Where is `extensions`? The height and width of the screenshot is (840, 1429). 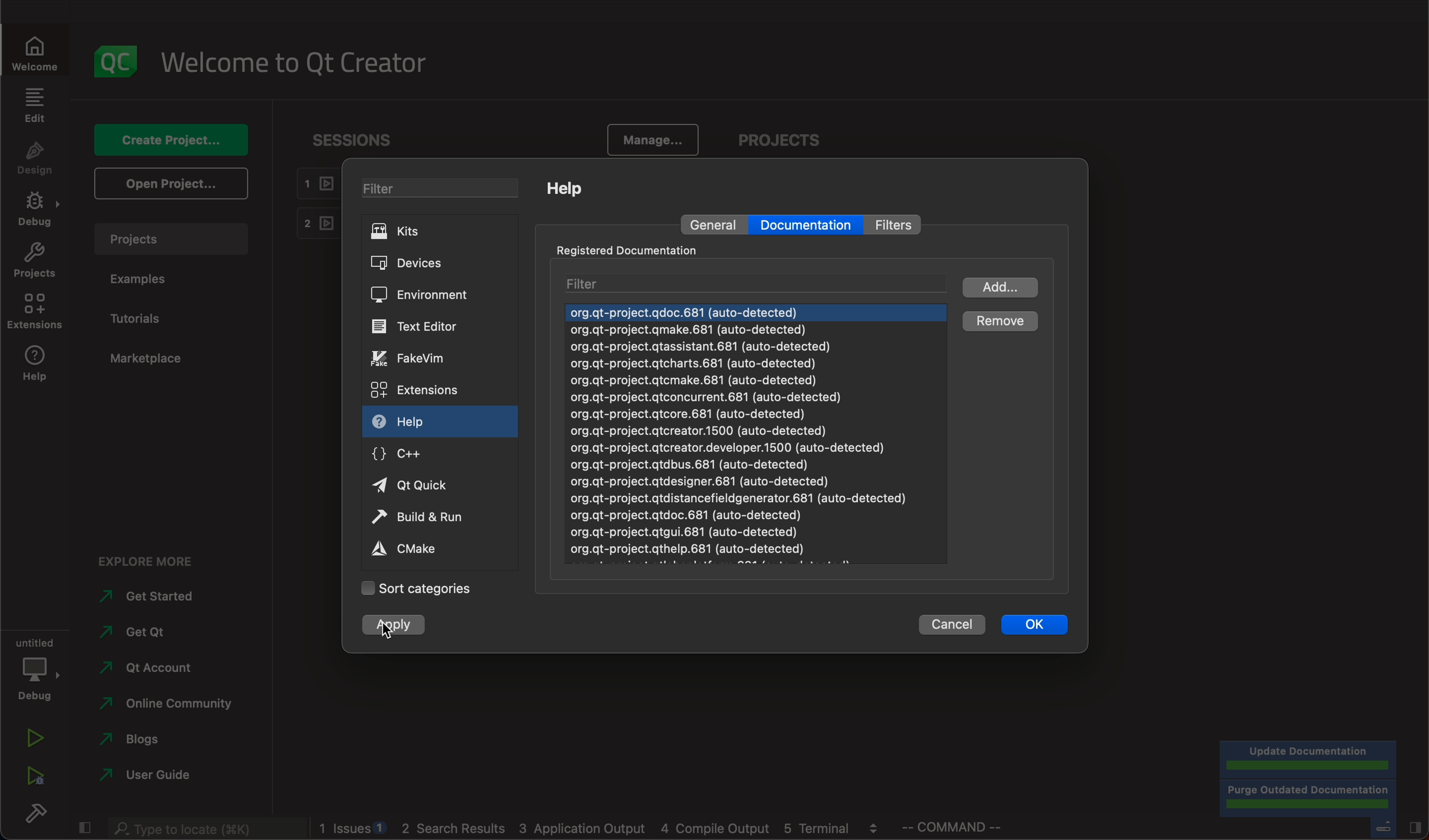 extensions is located at coordinates (40, 311).